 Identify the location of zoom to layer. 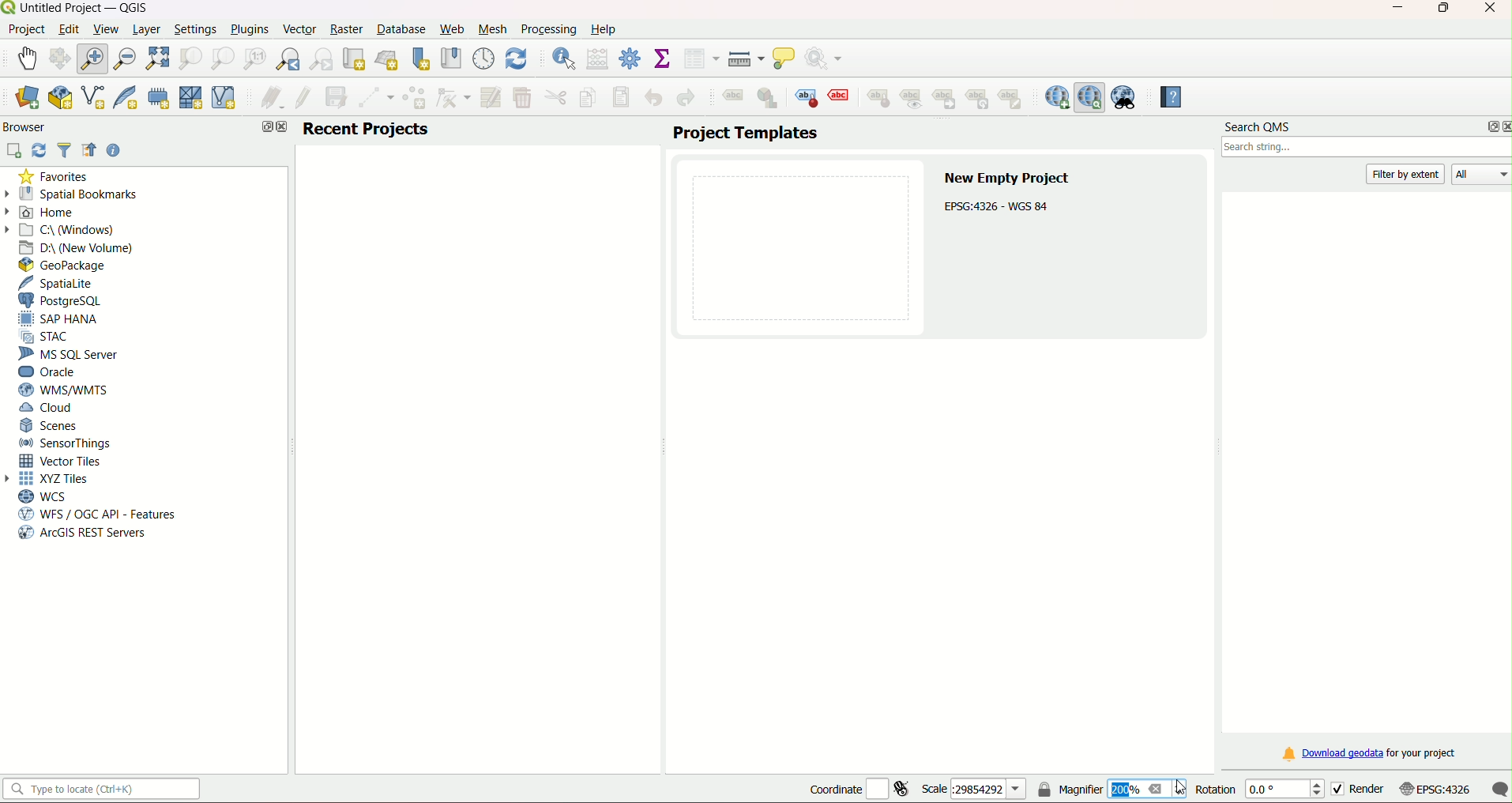
(220, 58).